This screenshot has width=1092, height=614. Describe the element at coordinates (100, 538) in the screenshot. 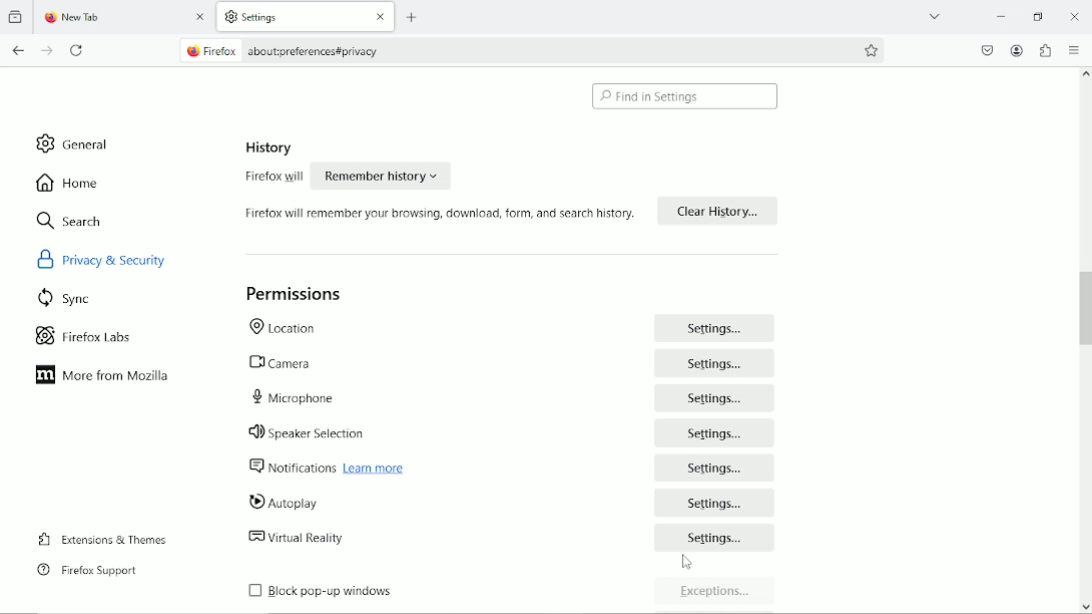

I see `extensions & themes` at that location.